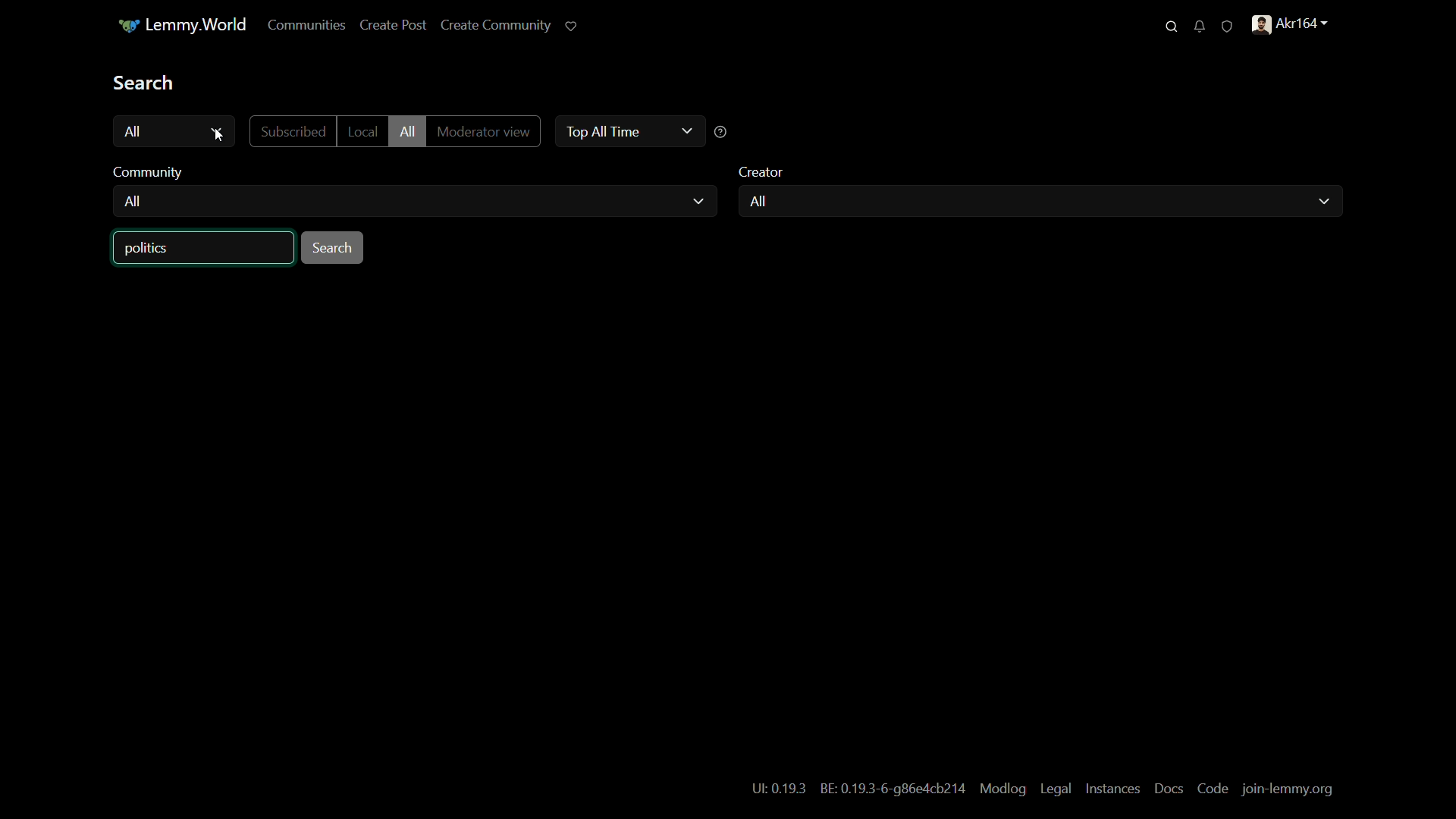 The image size is (1456, 819). What do you see at coordinates (1227, 25) in the screenshot?
I see `unread reports` at bounding box center [1227, 25].